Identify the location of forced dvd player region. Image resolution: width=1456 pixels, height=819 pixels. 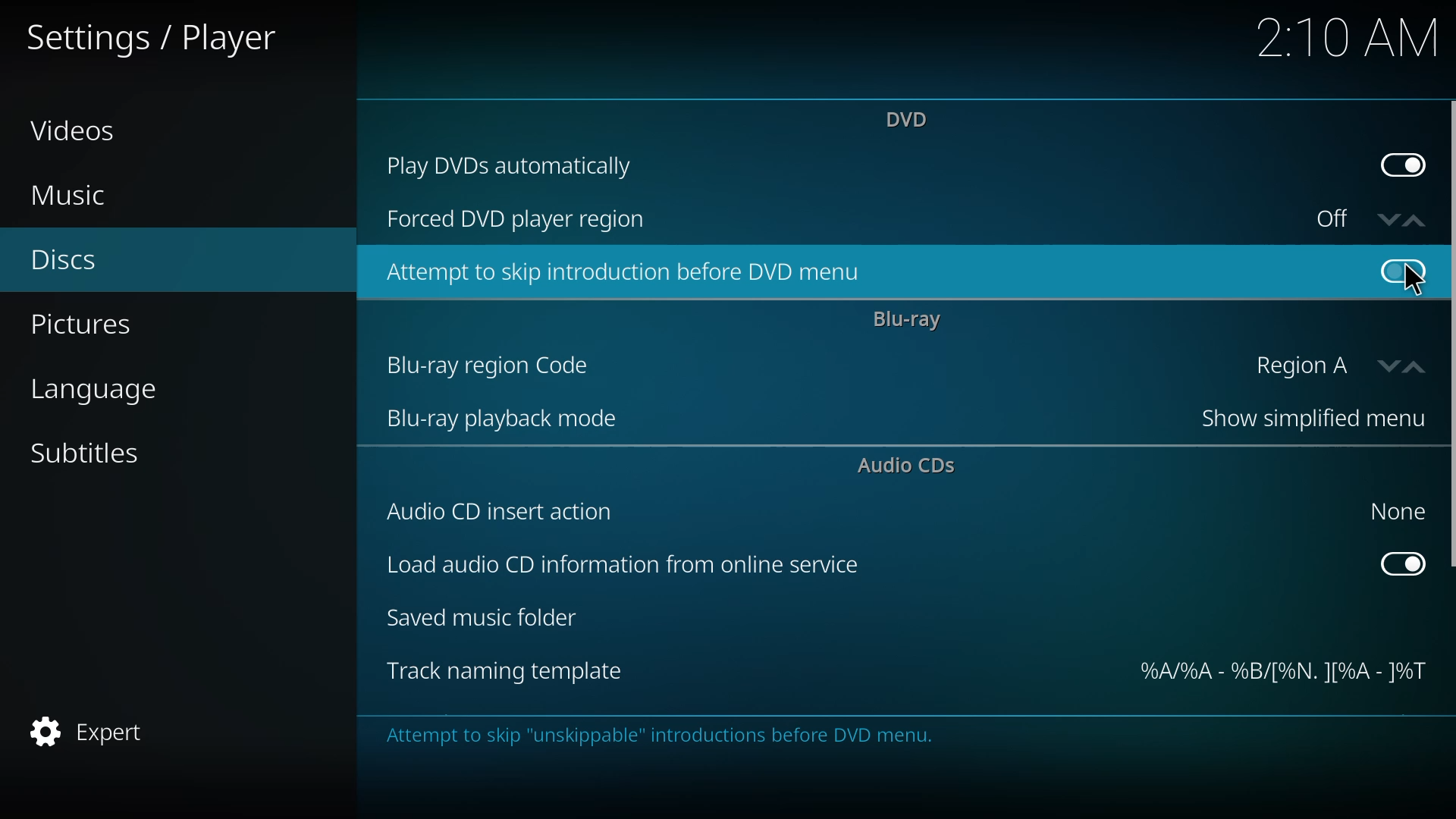
(519, 219).